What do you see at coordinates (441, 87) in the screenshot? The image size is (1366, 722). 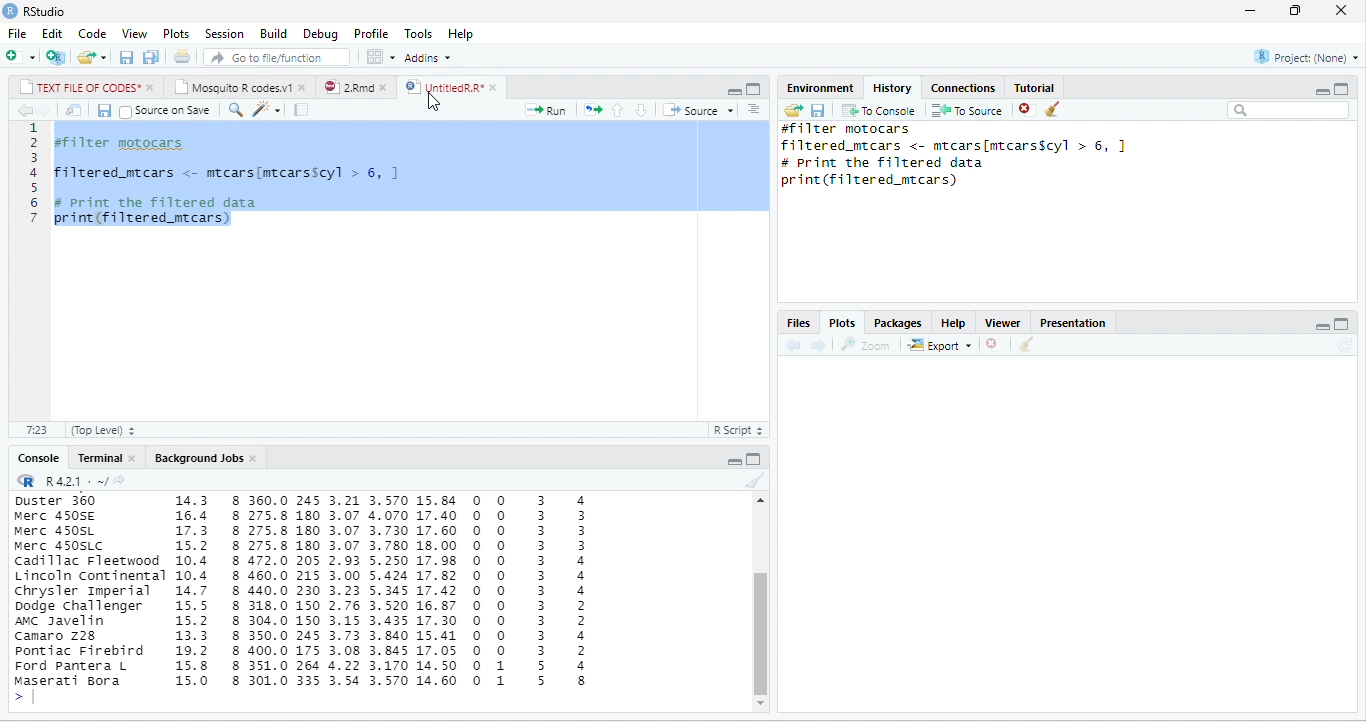 I see `UntitledR.R` at bounding box center [441, 87].